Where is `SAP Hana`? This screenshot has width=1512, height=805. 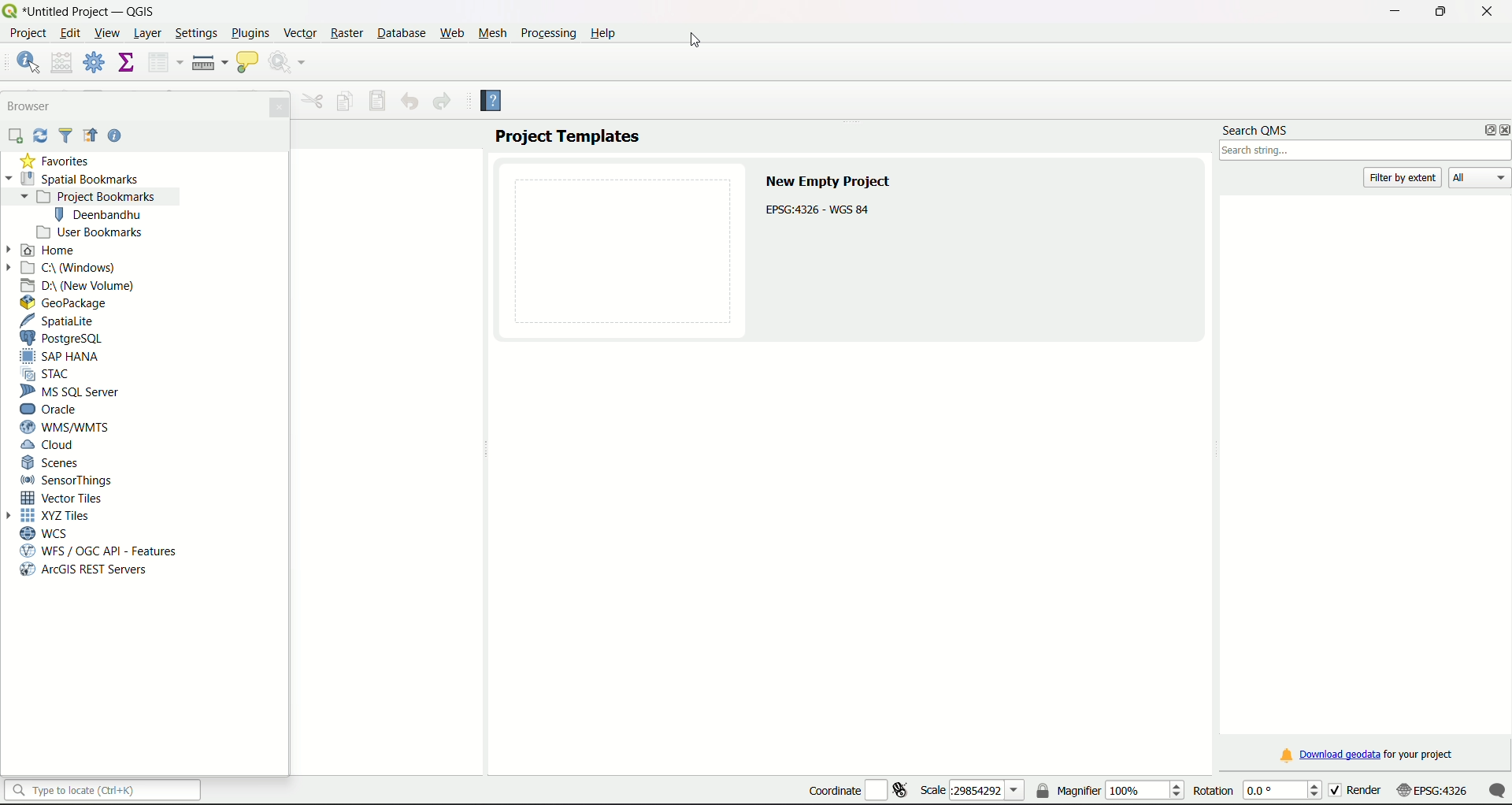 SAP Hana is located at coordinates (61, 355).